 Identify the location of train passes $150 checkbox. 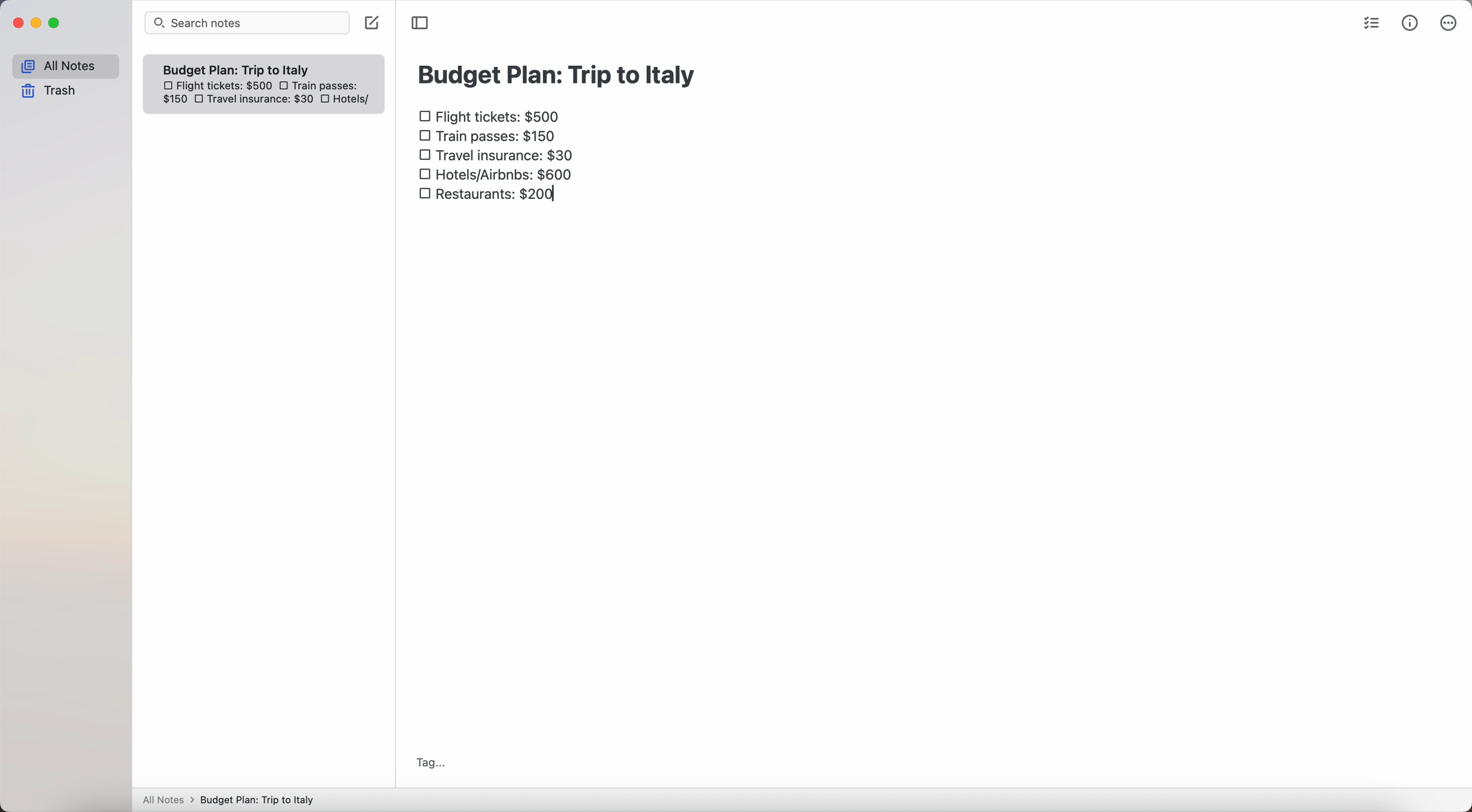
(489, 139).